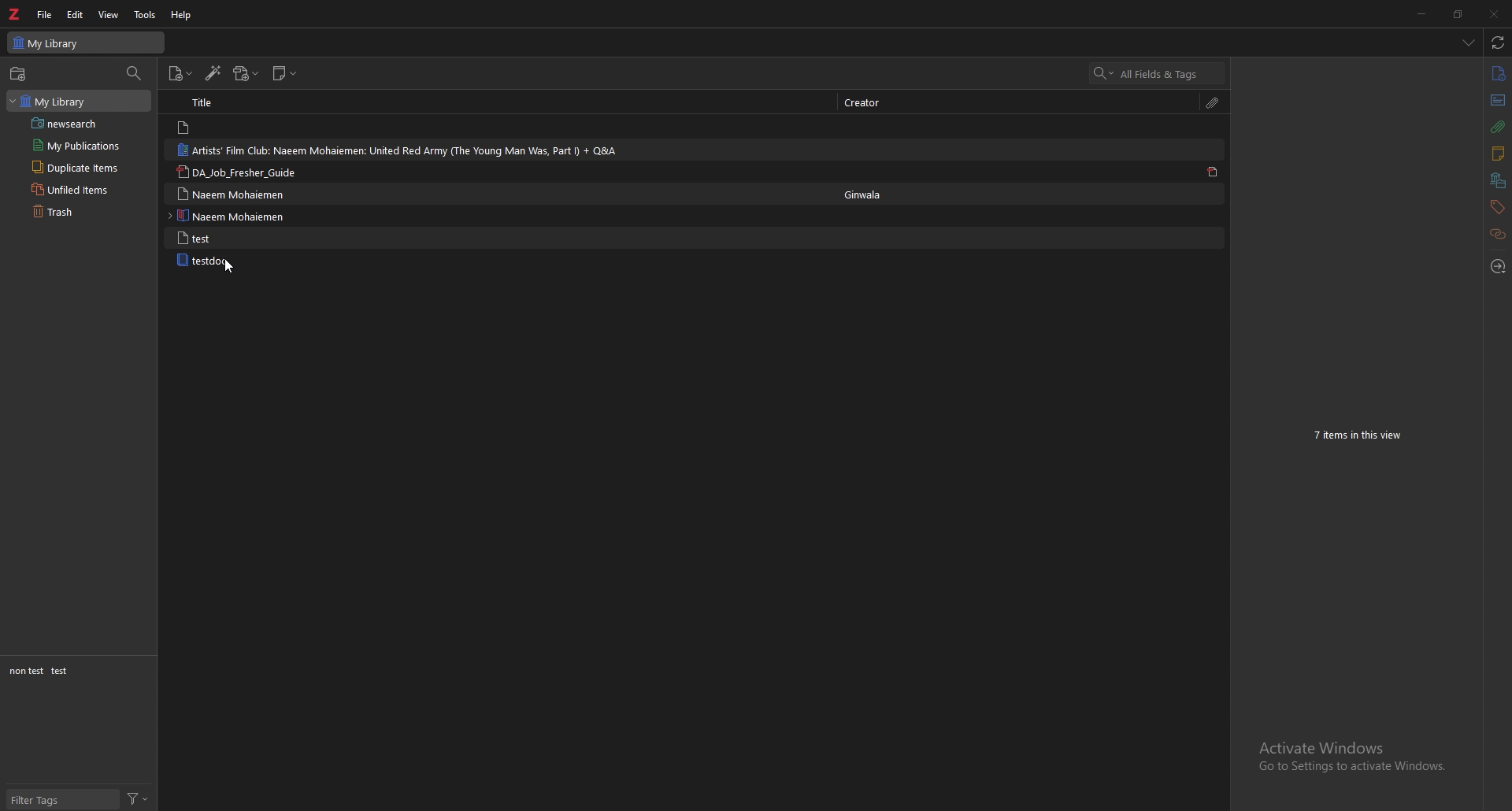 The width and height of the screenshot is (1512, 811). I want to click on help, so click(183, 15).